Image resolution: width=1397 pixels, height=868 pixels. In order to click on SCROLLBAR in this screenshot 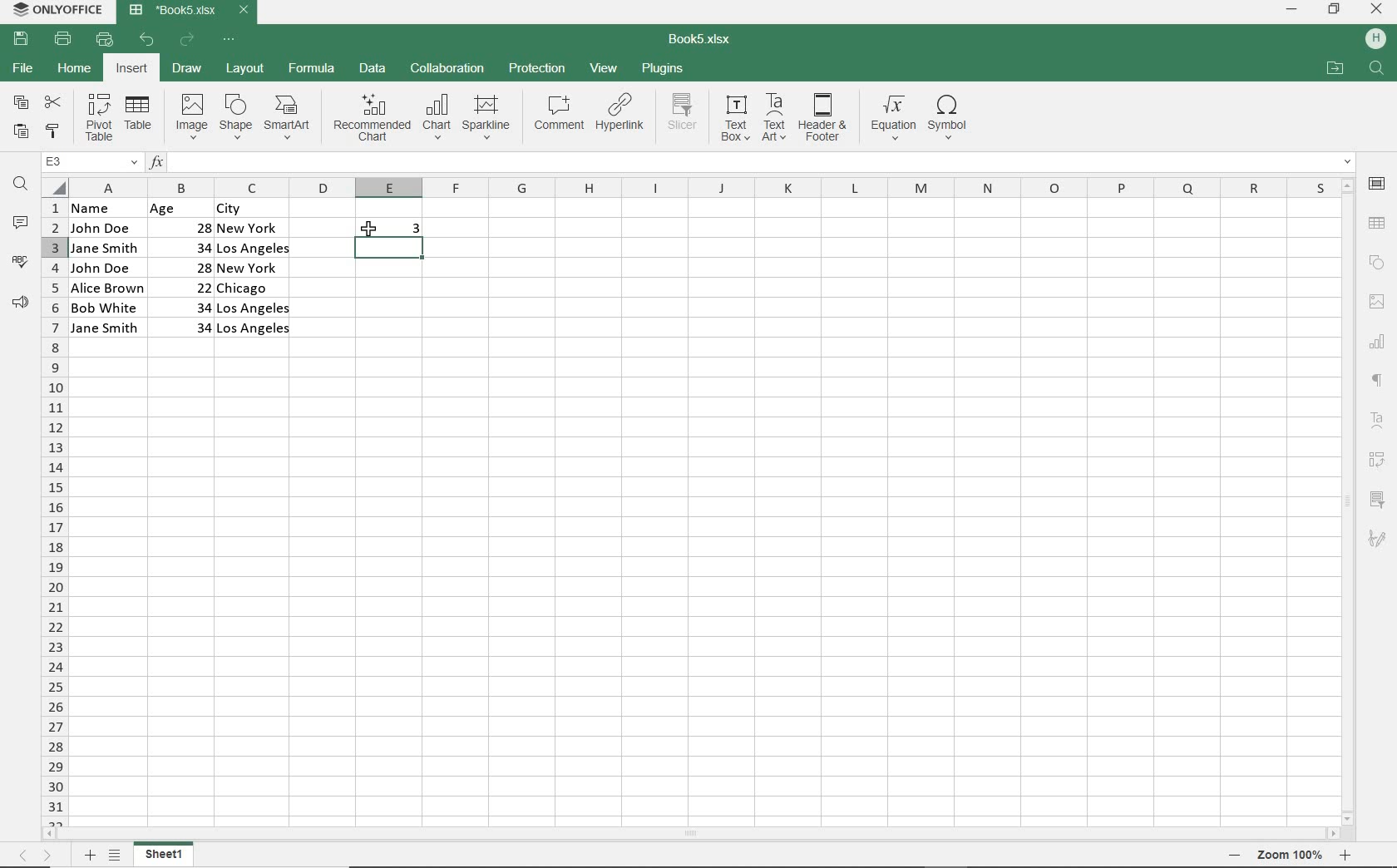, I will do `click(1346, 501)`.